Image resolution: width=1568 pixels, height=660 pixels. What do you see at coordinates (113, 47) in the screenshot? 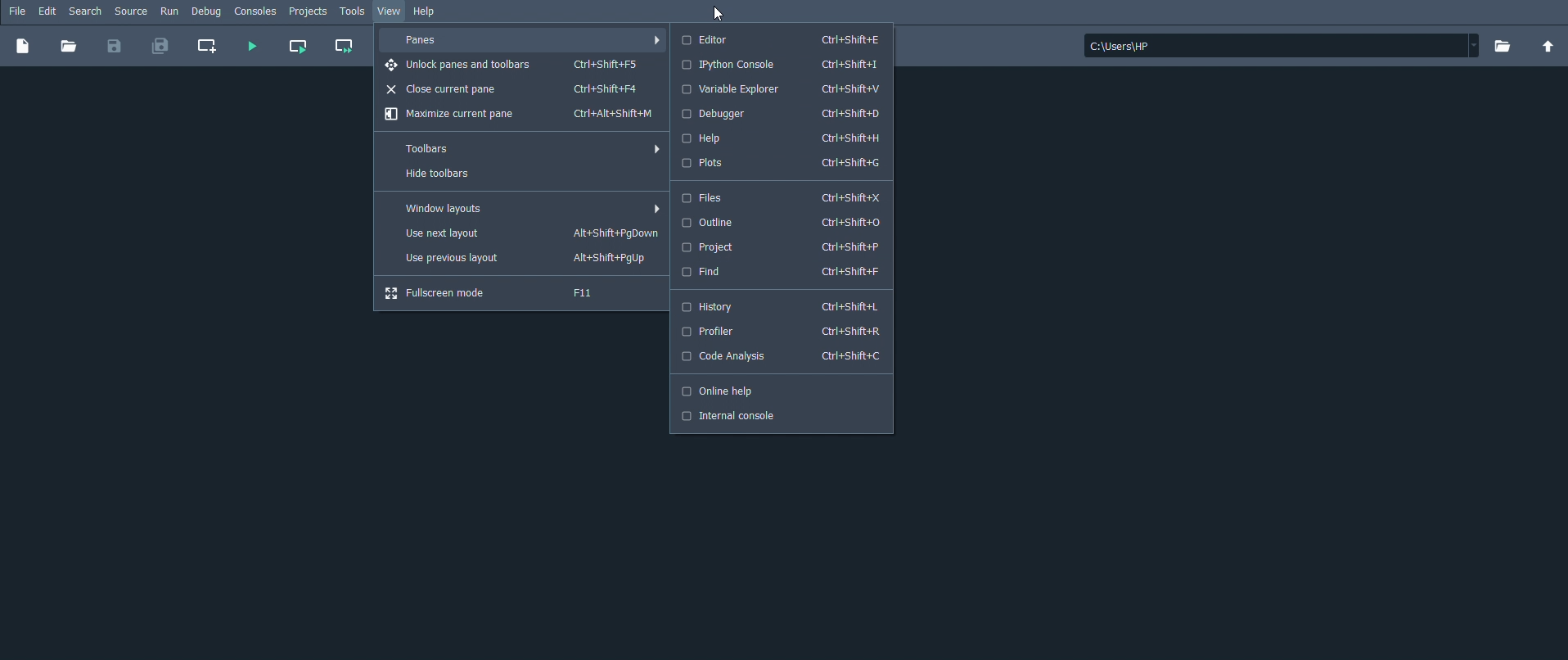
I see `Save file` at bounding box center [113, 47].